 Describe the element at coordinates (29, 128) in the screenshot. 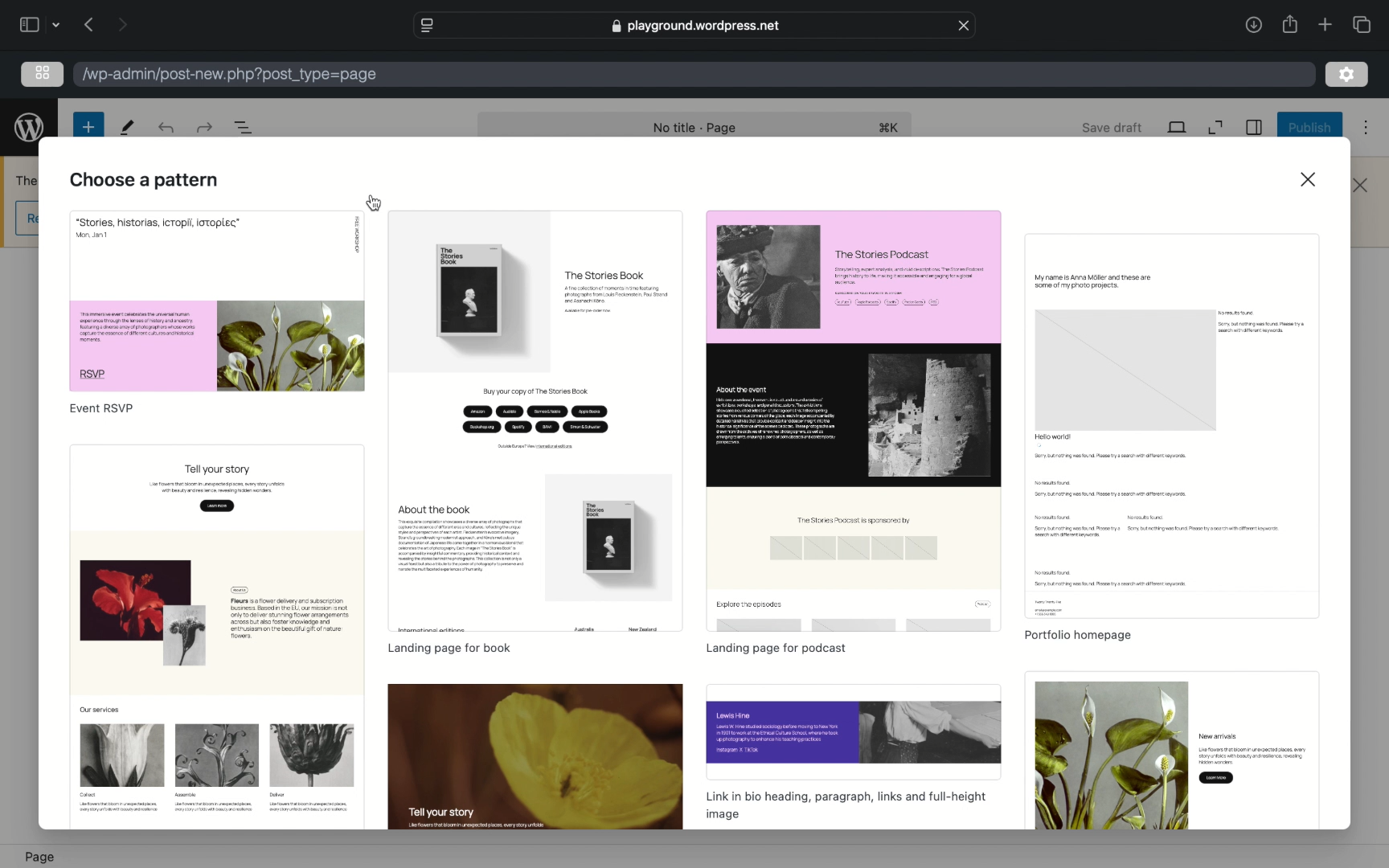

I see `wordpress` at that location.